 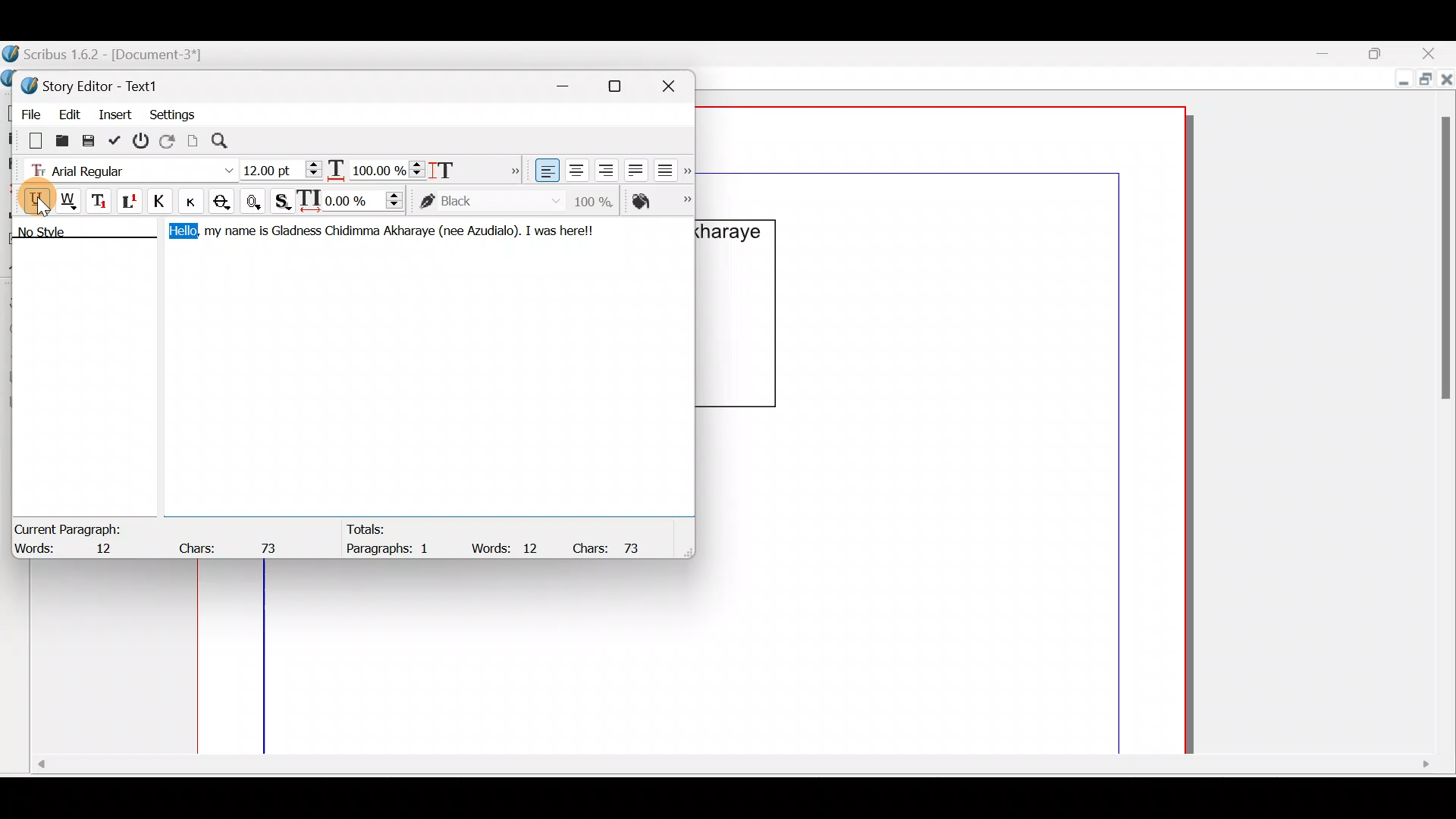 I want to click on Align text justified, so click(x=634, y=168).